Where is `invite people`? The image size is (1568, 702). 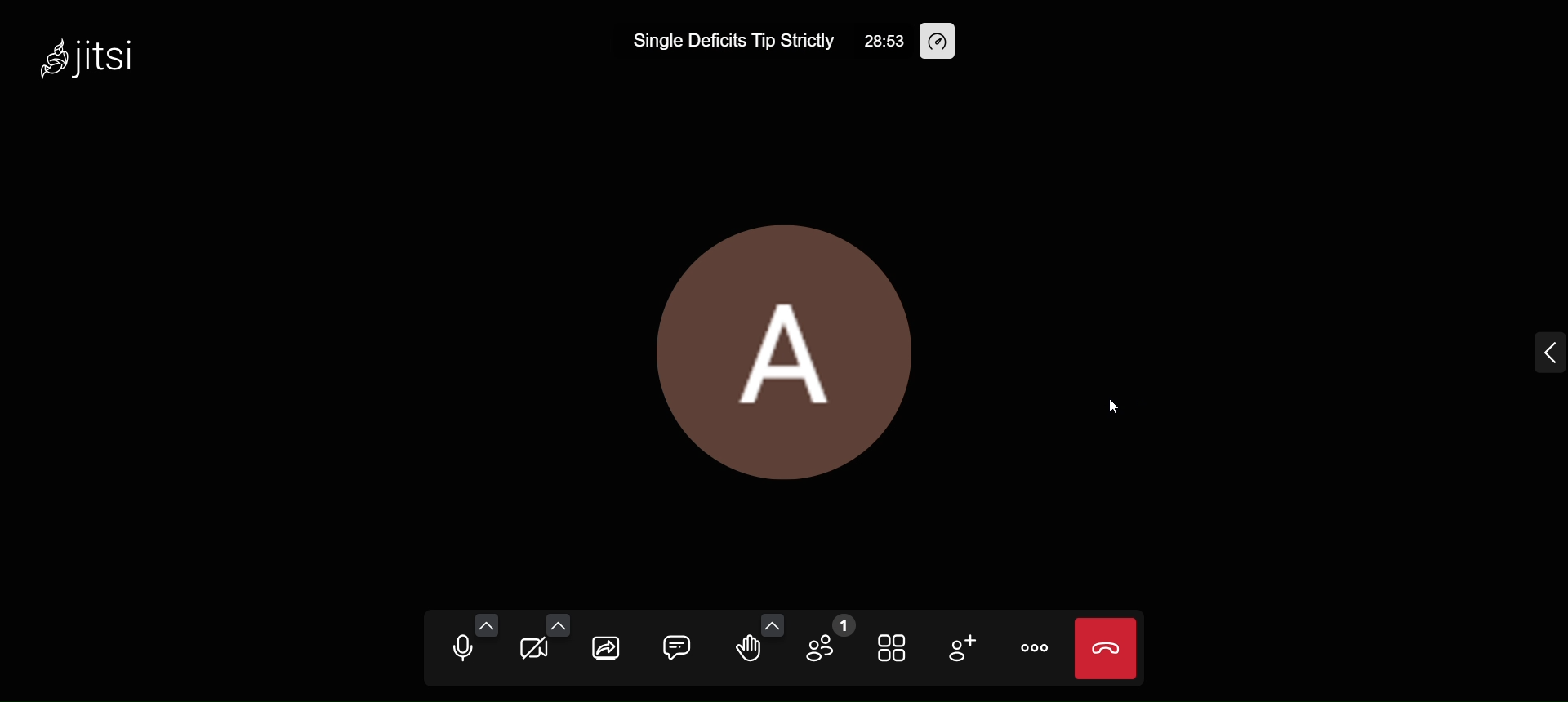
invite people is located at coordinates (964, 650).